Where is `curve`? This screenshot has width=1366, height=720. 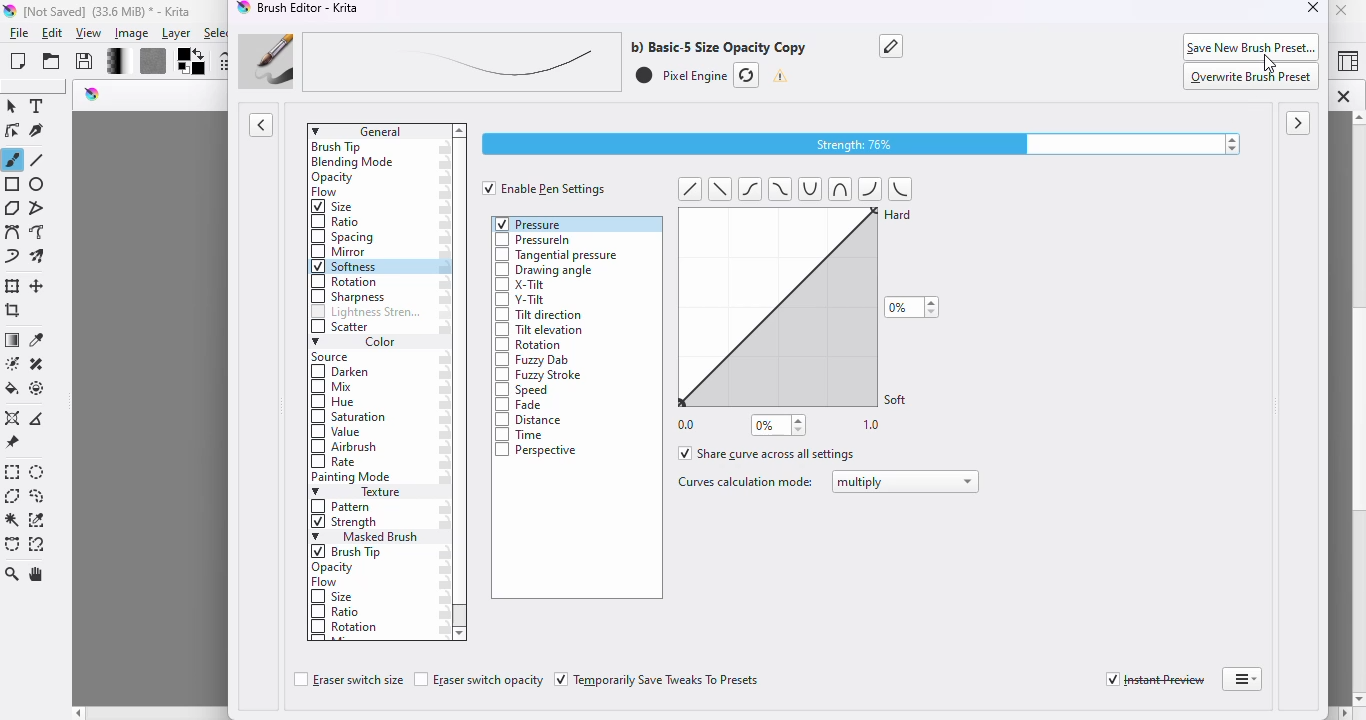
curve is located at coordinates (811, 190).